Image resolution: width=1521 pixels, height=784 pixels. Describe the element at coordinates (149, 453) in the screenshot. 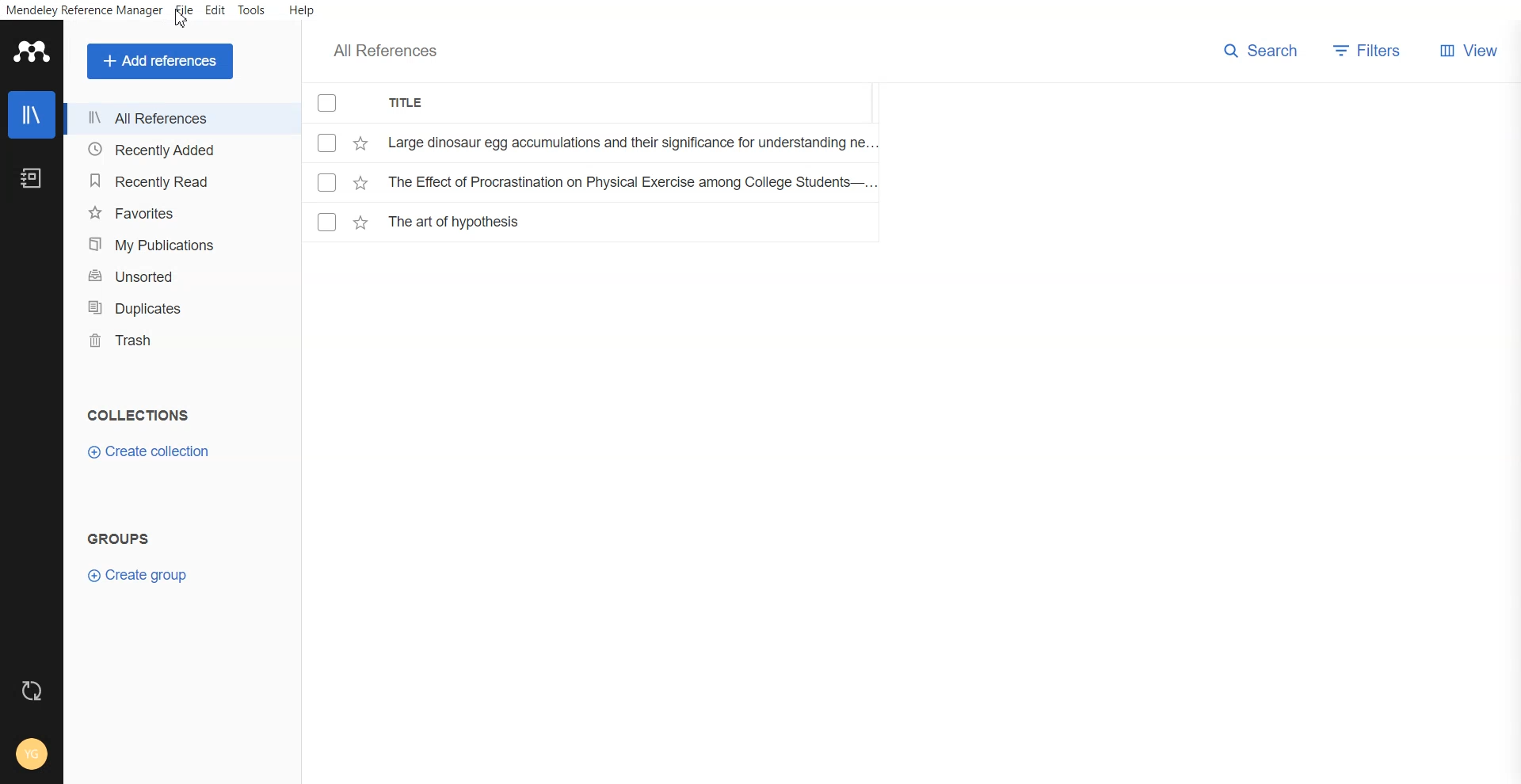

I see `Create collection` at that location.